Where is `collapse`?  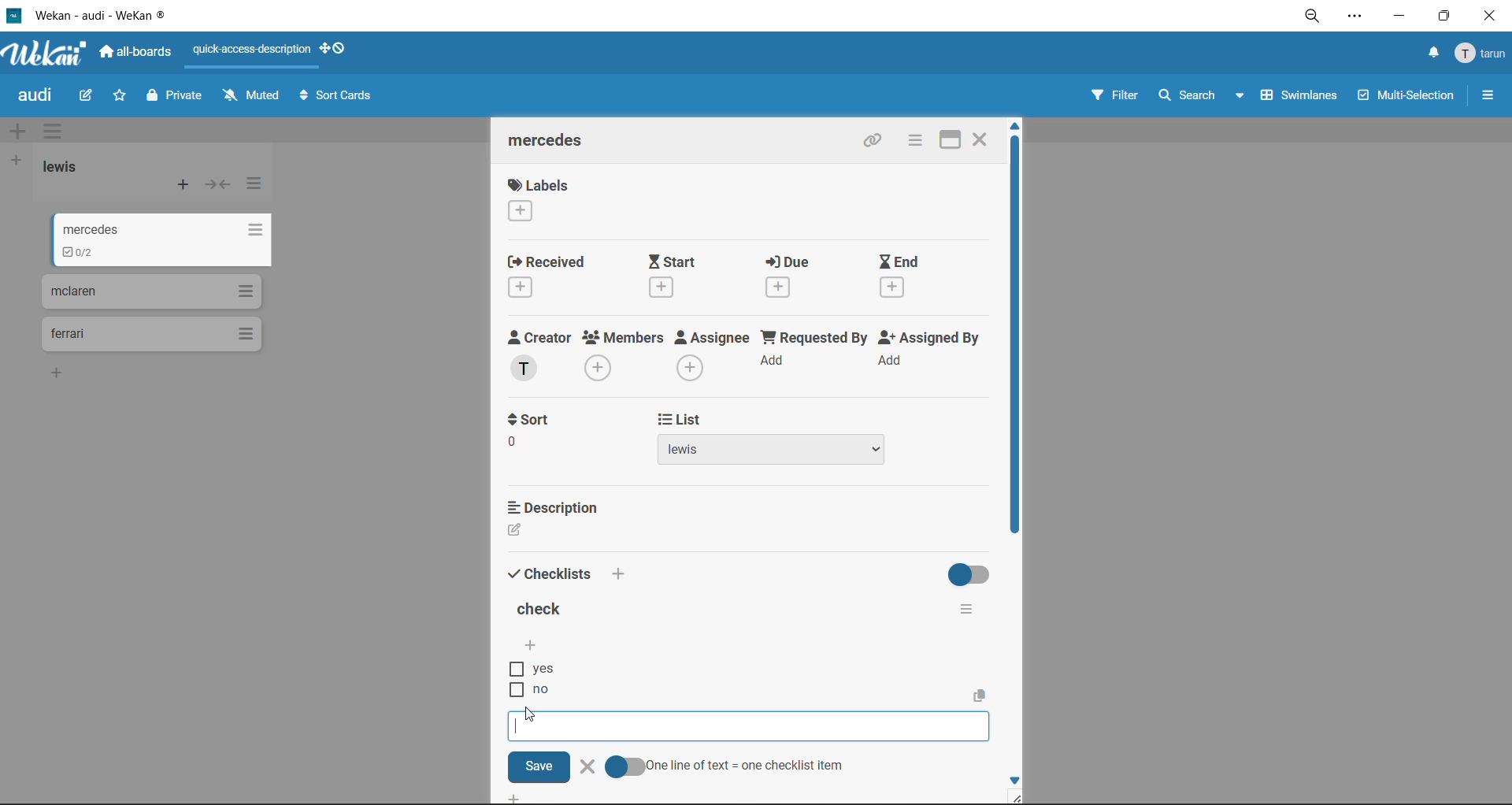
collapse is located at coordinates (217, 185).